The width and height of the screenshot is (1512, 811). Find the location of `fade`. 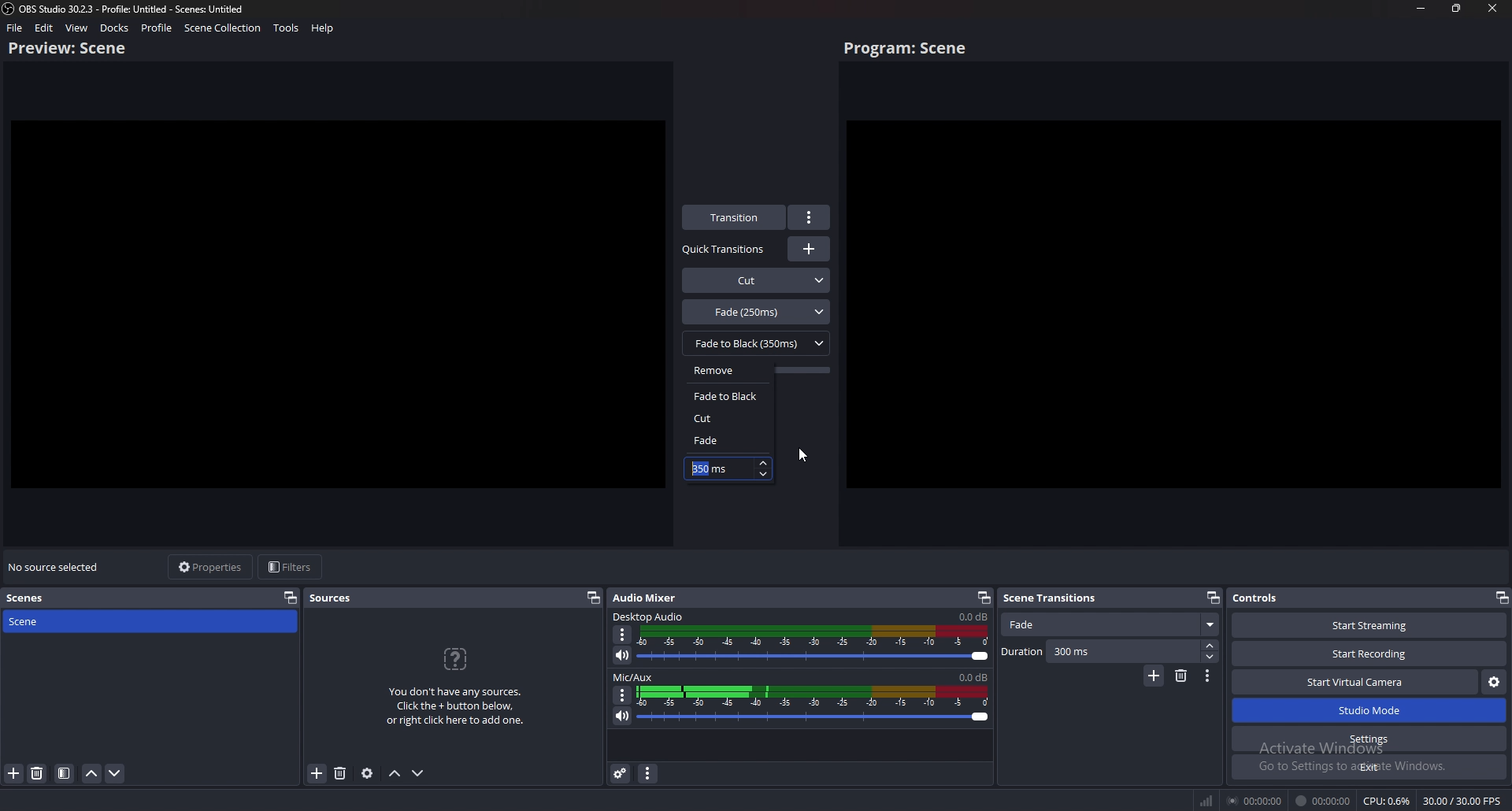

fade is located at coordinates (724, 440).